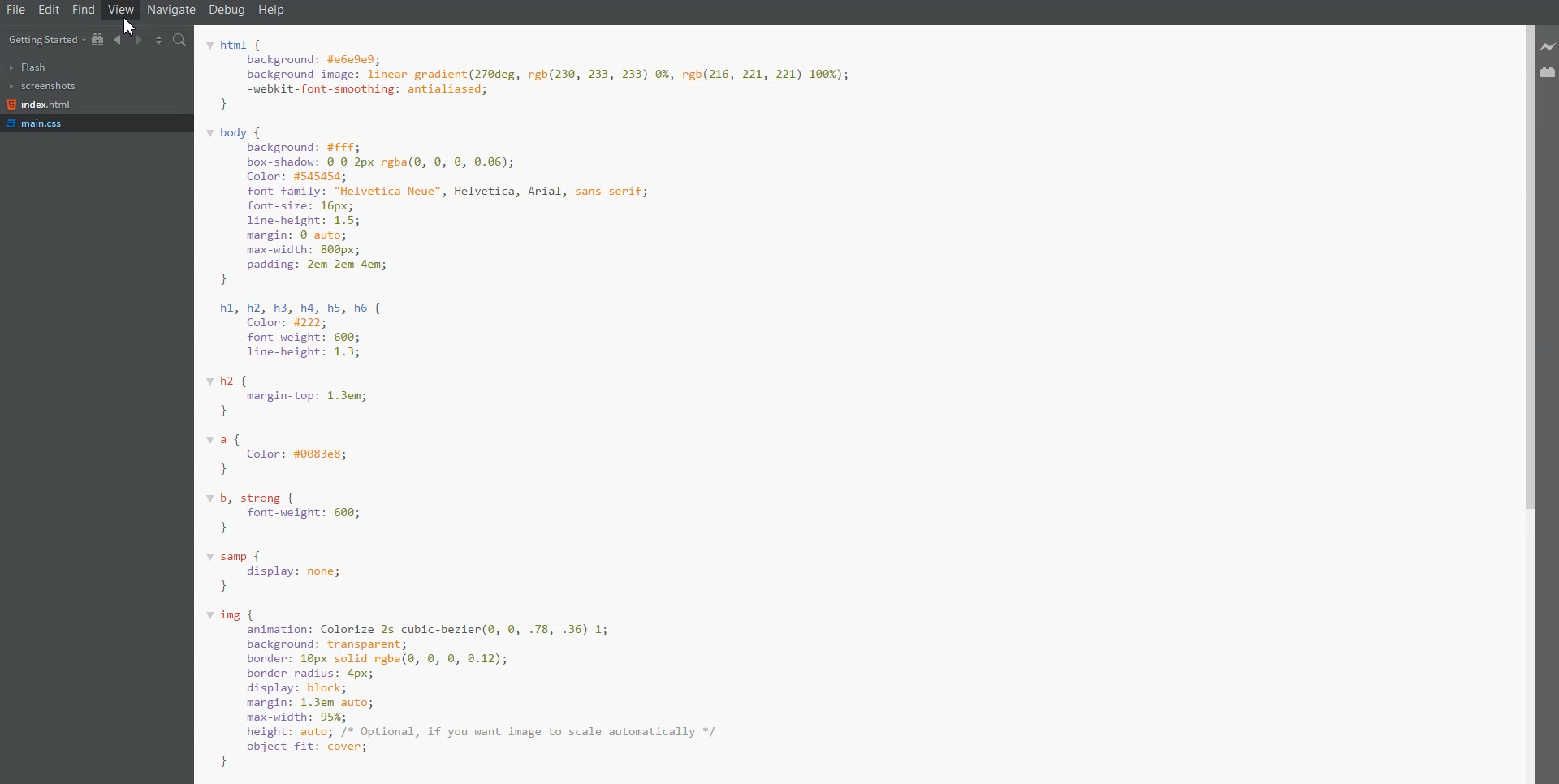  I want to click on main.css, so click(40, 123).